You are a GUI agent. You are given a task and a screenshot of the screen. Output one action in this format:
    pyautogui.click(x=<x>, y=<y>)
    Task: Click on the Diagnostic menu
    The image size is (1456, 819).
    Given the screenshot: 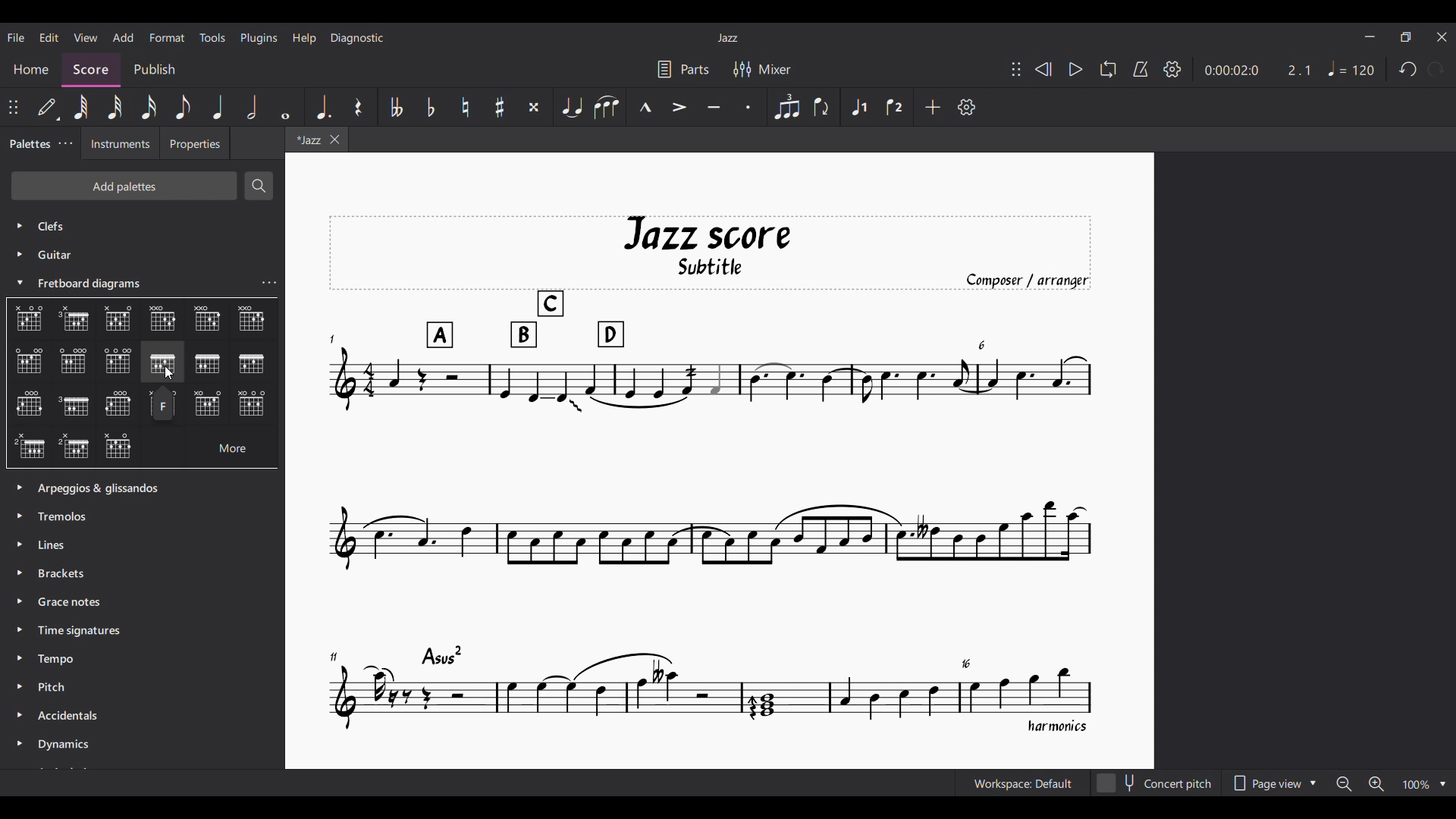 What is the action you would take?
    pyautogui.click(x=357, y=38)
    